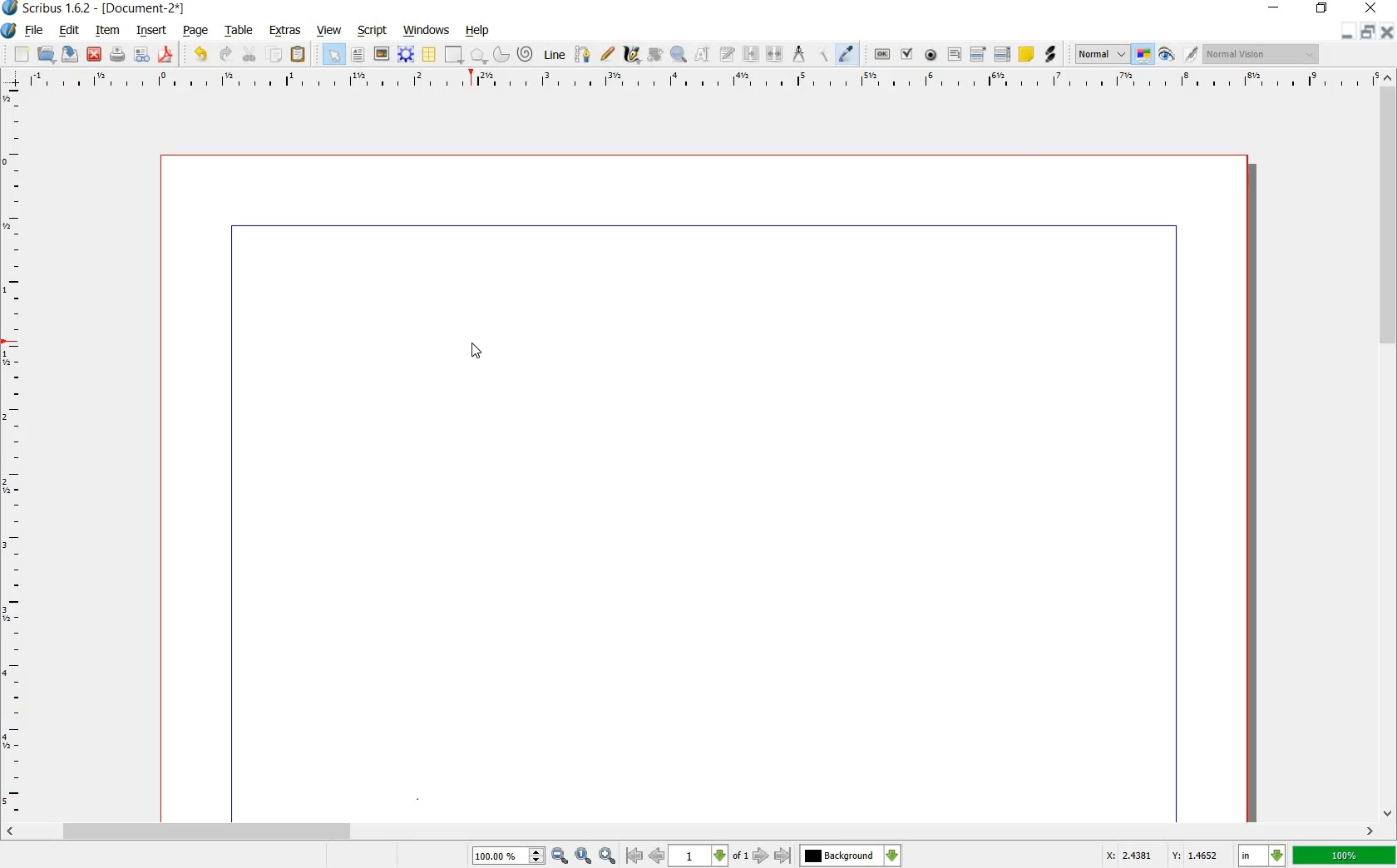  Describe the element at coordinates (334, 56) in the screenshot. I see `SELECT` at that location.